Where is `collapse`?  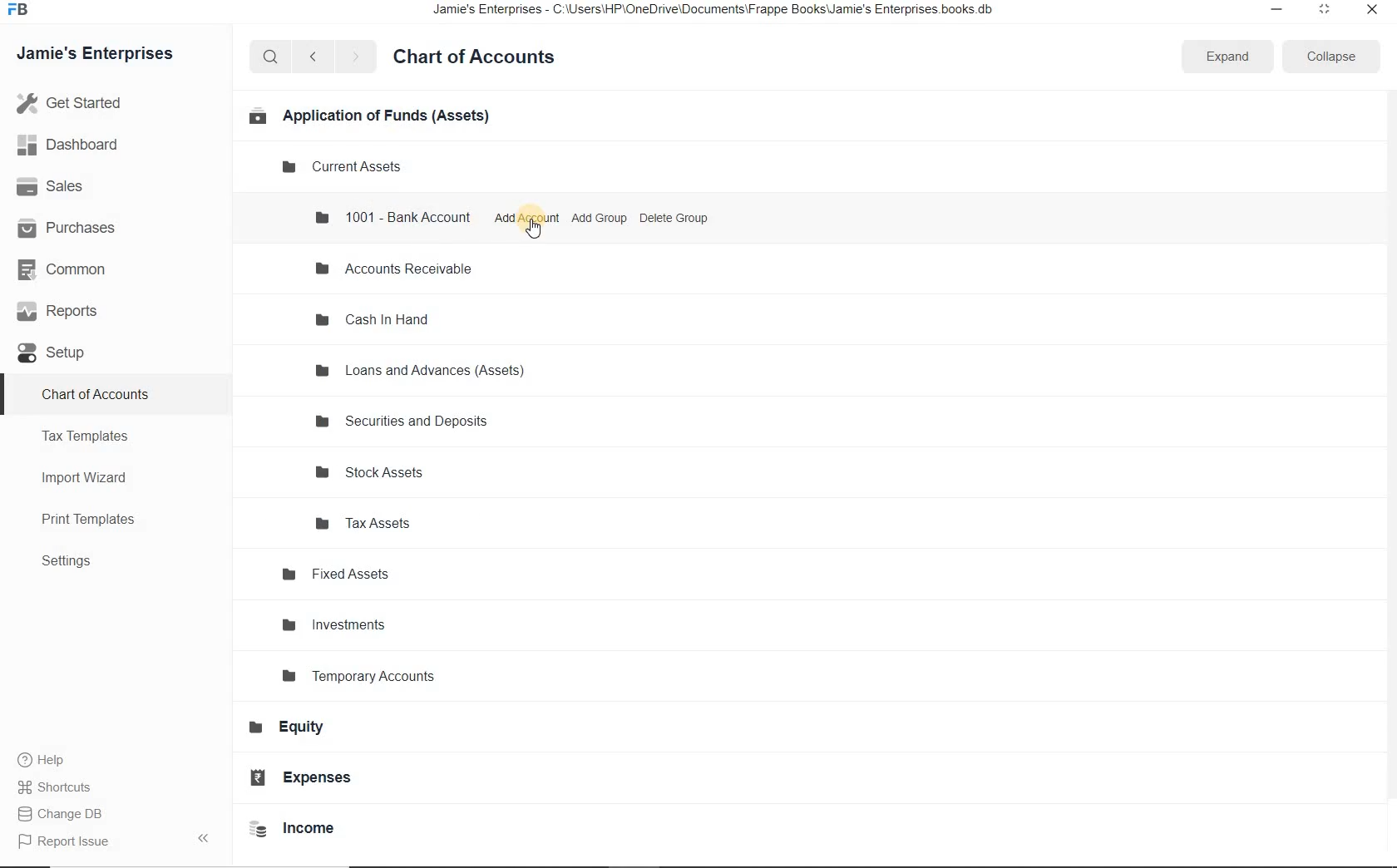 collapse is located at coordinates (1327, 57).